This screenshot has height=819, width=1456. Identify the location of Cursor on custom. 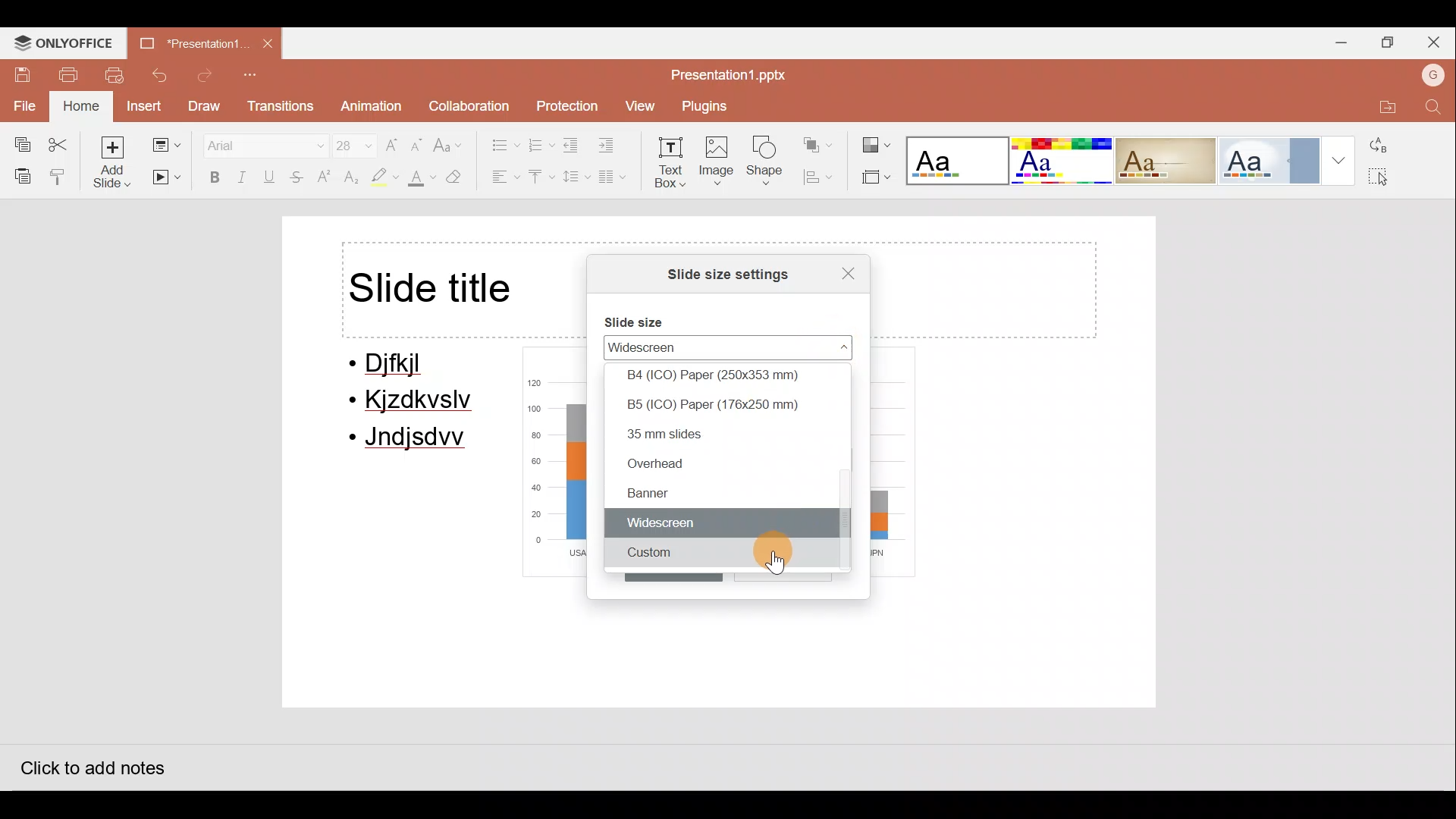
(777, 563).